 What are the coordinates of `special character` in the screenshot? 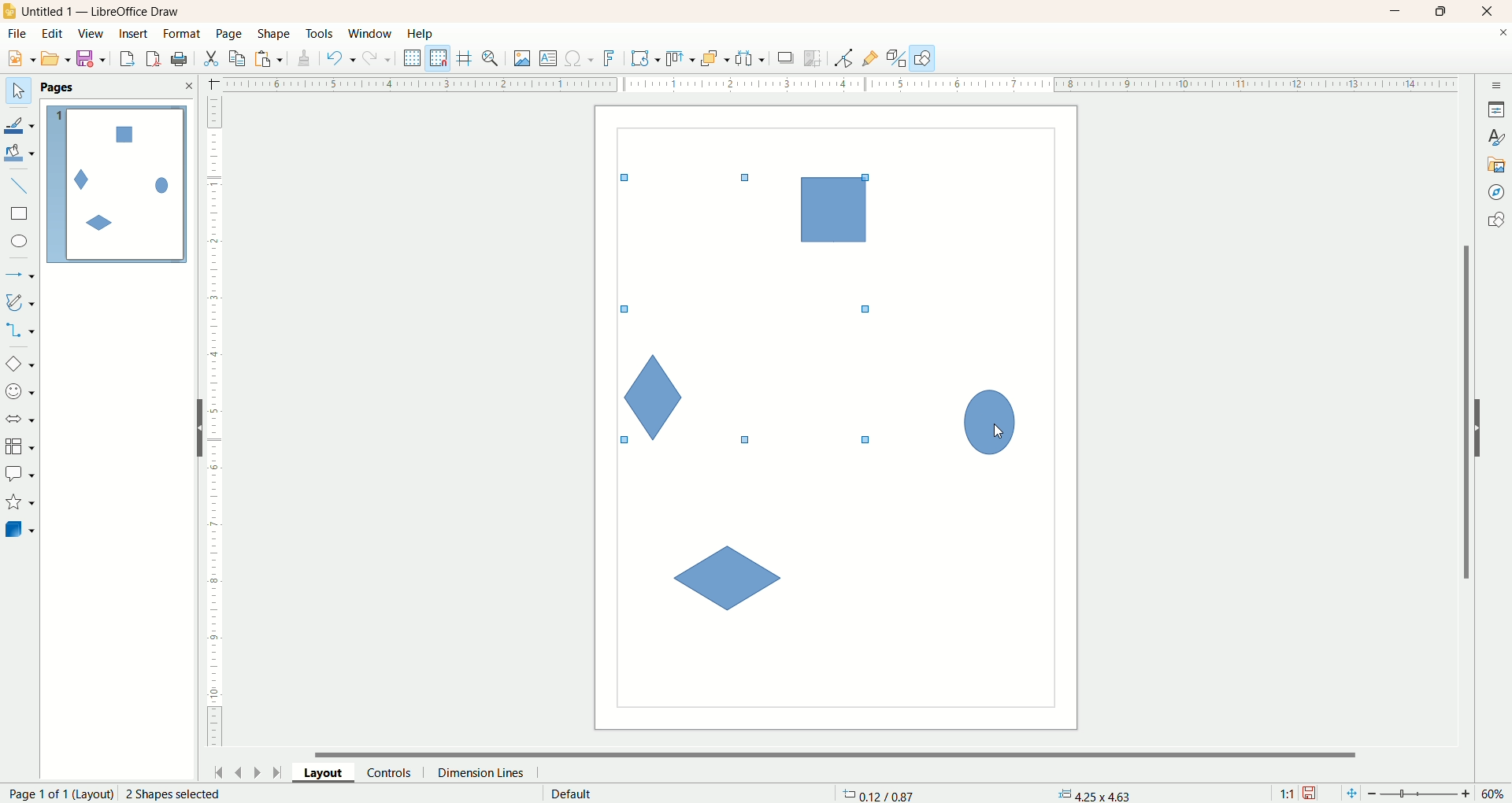 It's located at (580, 59).